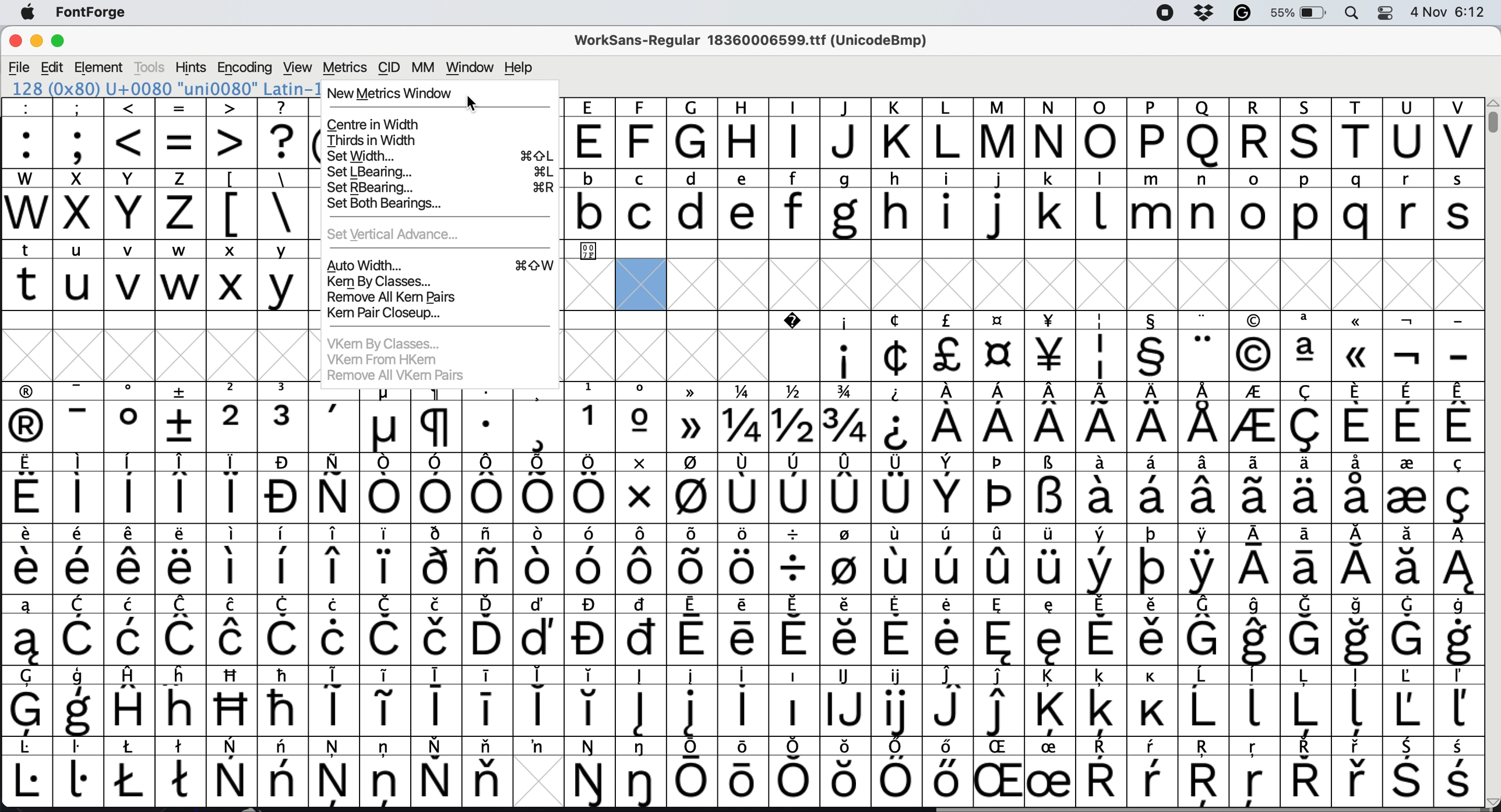 The image size is (1501, 812). I want to click on special characters, so click(1157, 354).